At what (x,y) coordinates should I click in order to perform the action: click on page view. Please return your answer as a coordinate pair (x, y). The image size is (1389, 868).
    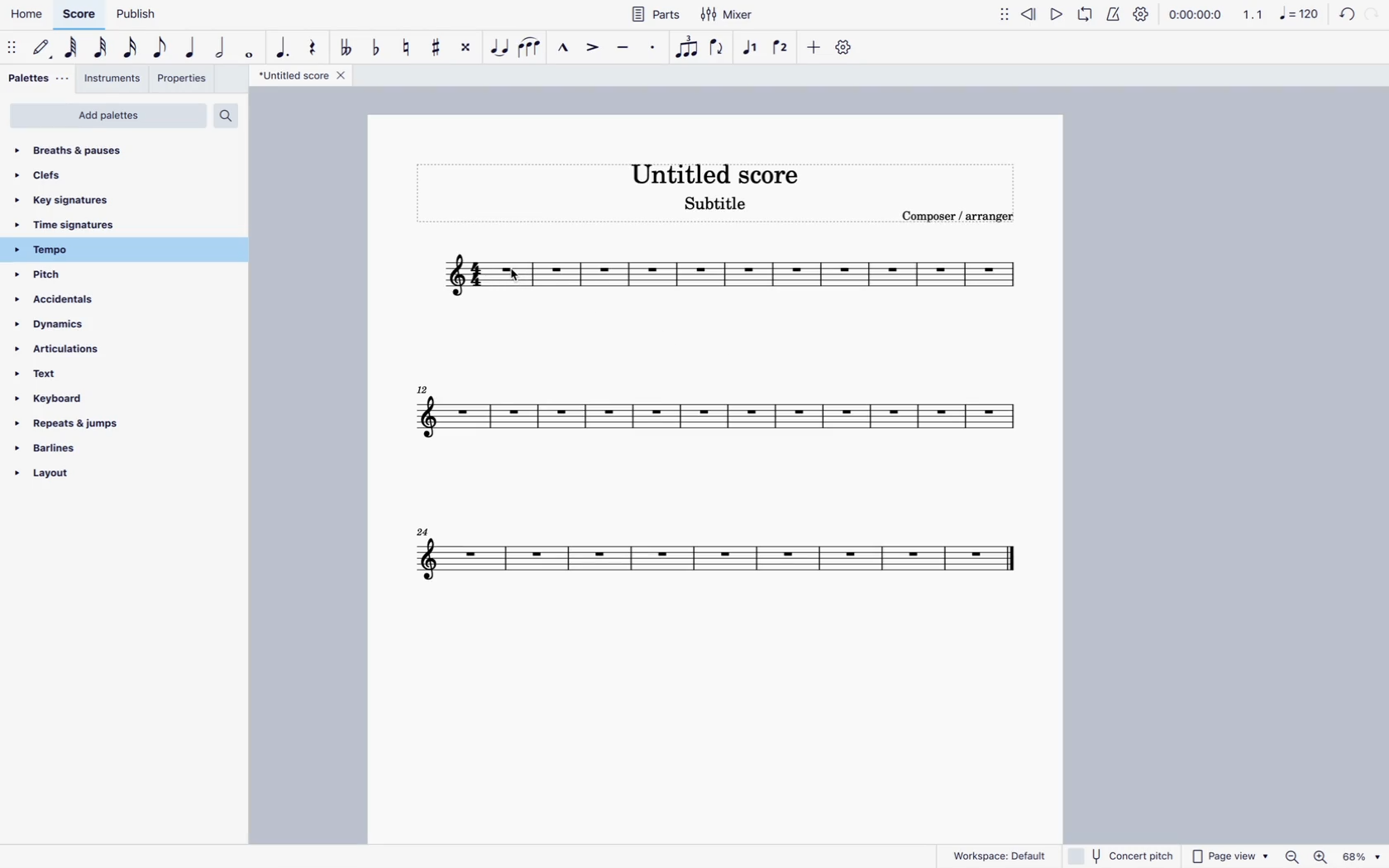
    Looking at the image, I should click on (1230, 856).